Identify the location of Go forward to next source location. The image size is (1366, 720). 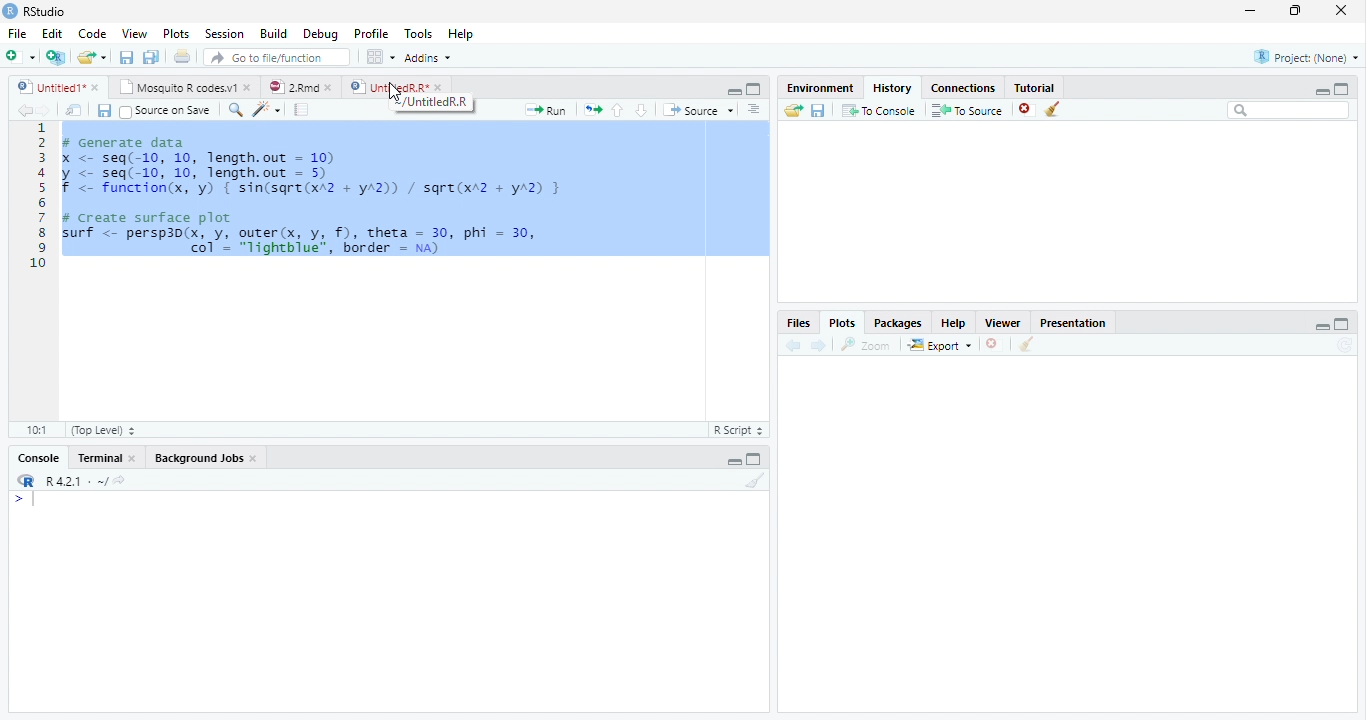
(45, 111).